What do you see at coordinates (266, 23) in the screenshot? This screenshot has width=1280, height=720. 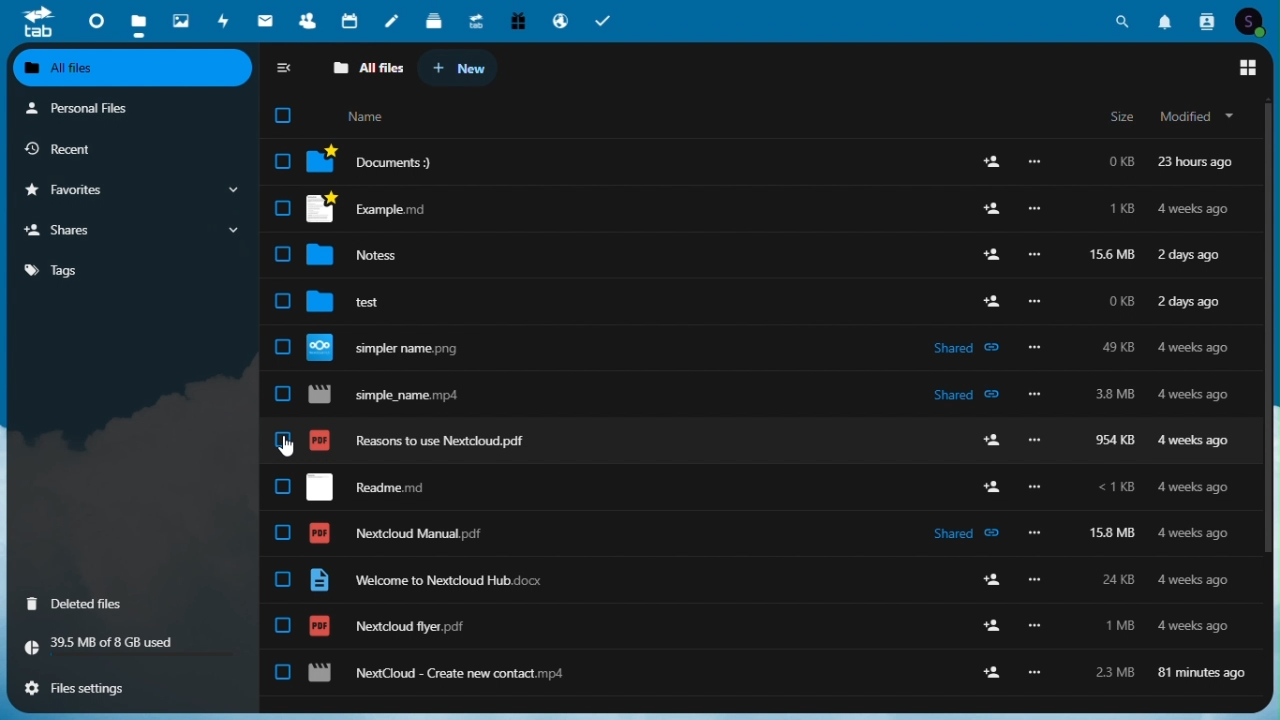 I see `mail` at bounding box center [266, 23].